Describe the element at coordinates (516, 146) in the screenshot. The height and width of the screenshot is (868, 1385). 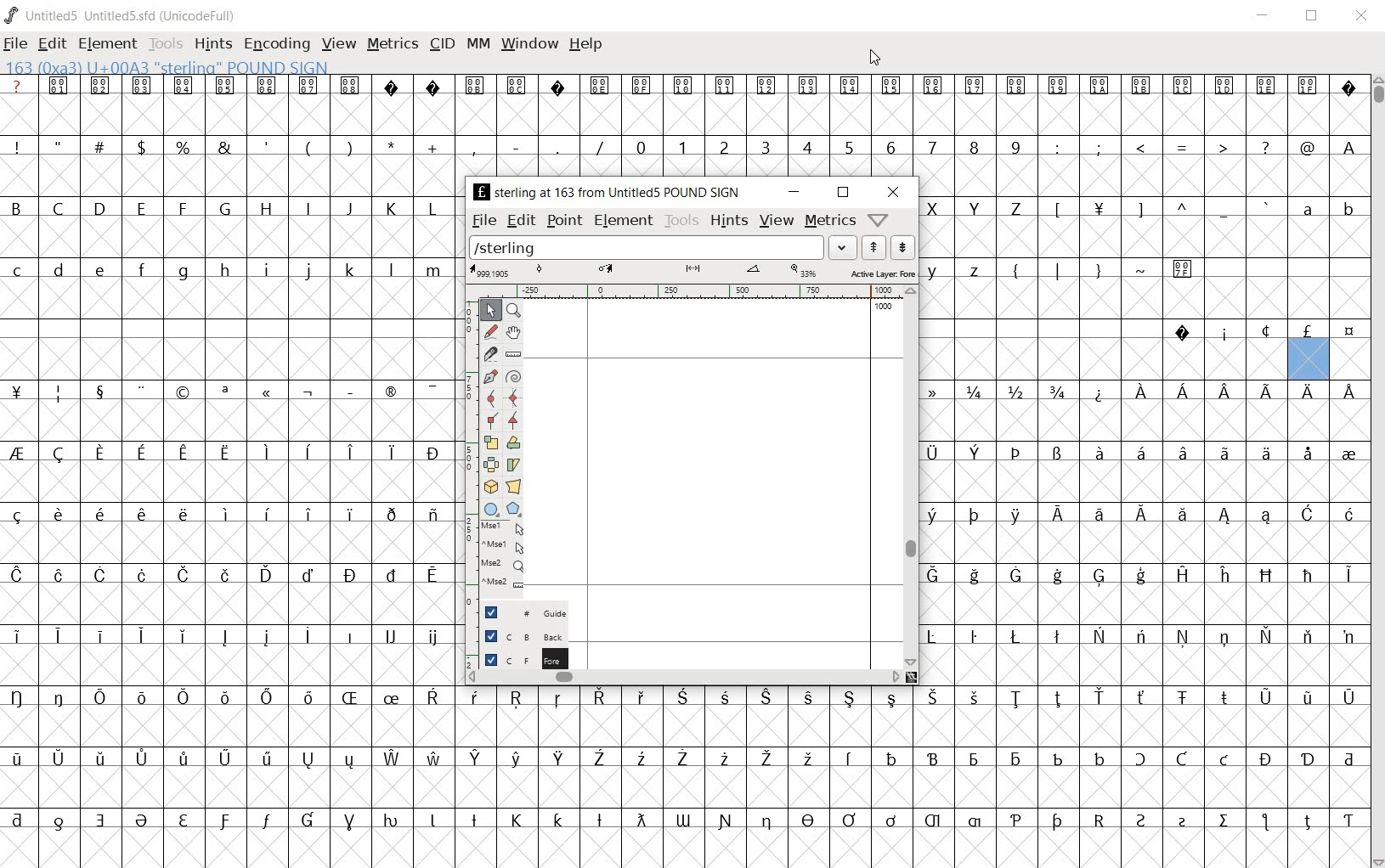
I see `-` at that location.